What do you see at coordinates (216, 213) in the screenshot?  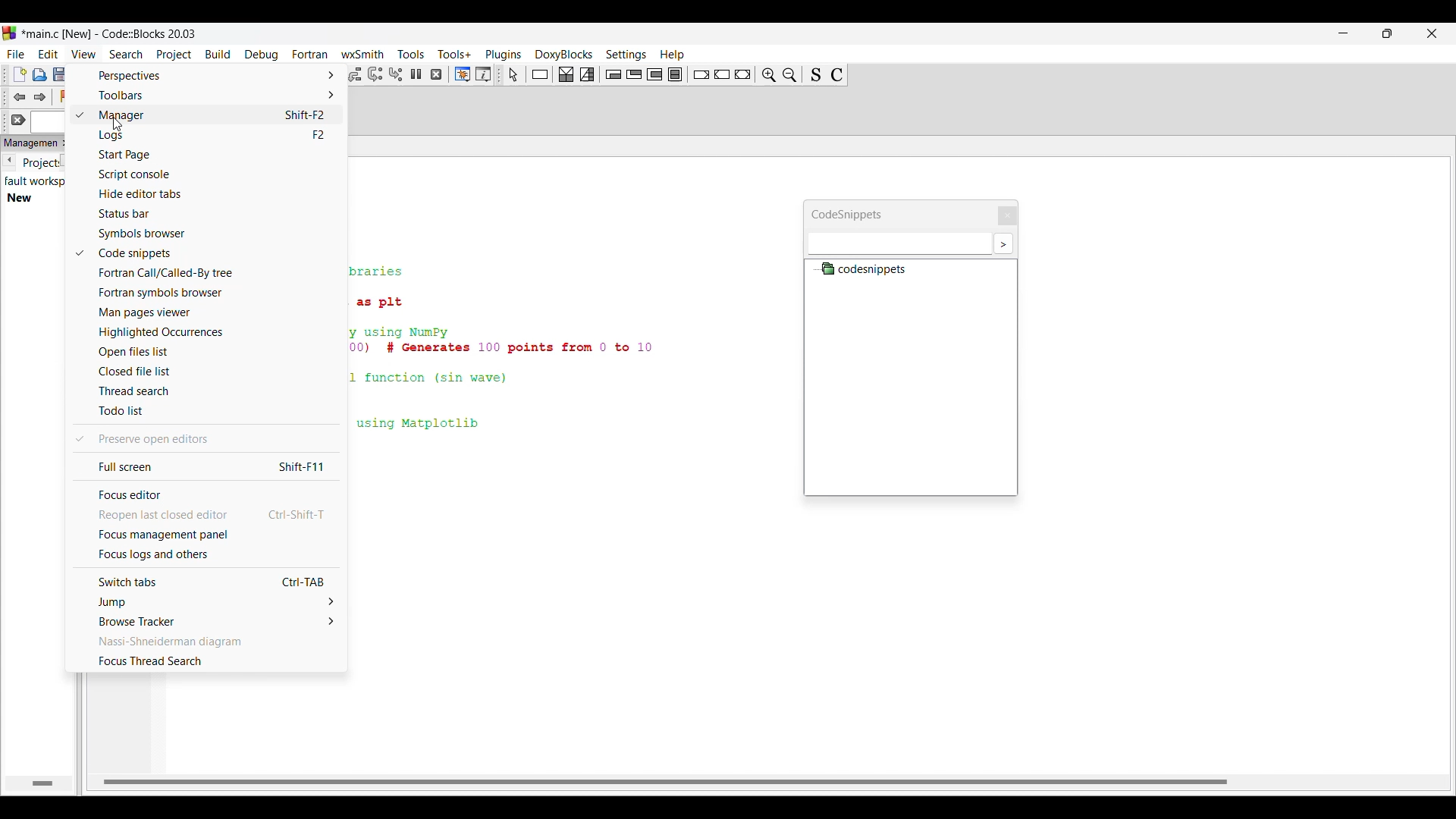 I see `Status bar` at bounding box center [216, 213].